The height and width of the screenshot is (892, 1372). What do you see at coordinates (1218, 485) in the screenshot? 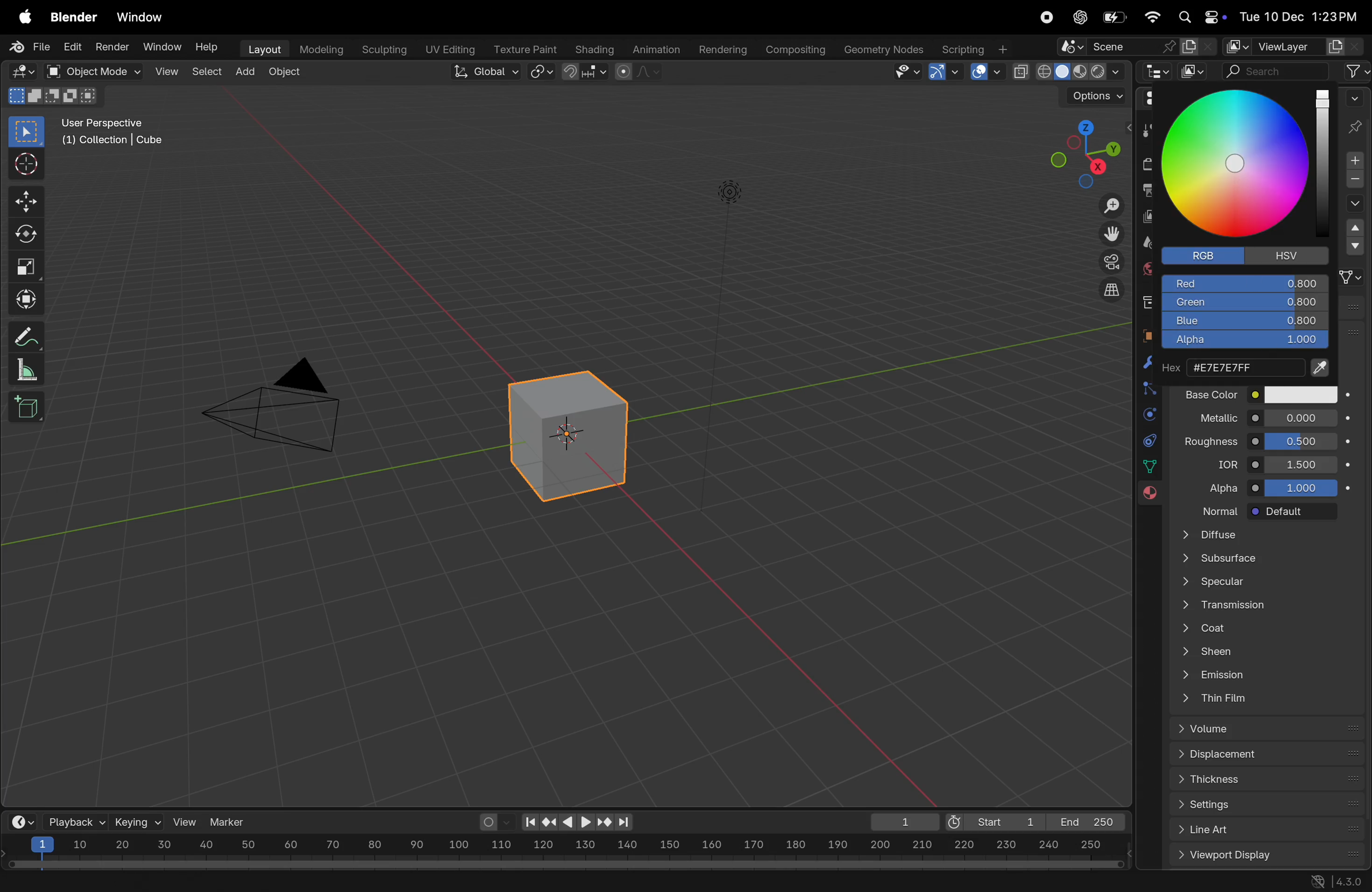
I see `alpha` at bounding box center [1218, 485].